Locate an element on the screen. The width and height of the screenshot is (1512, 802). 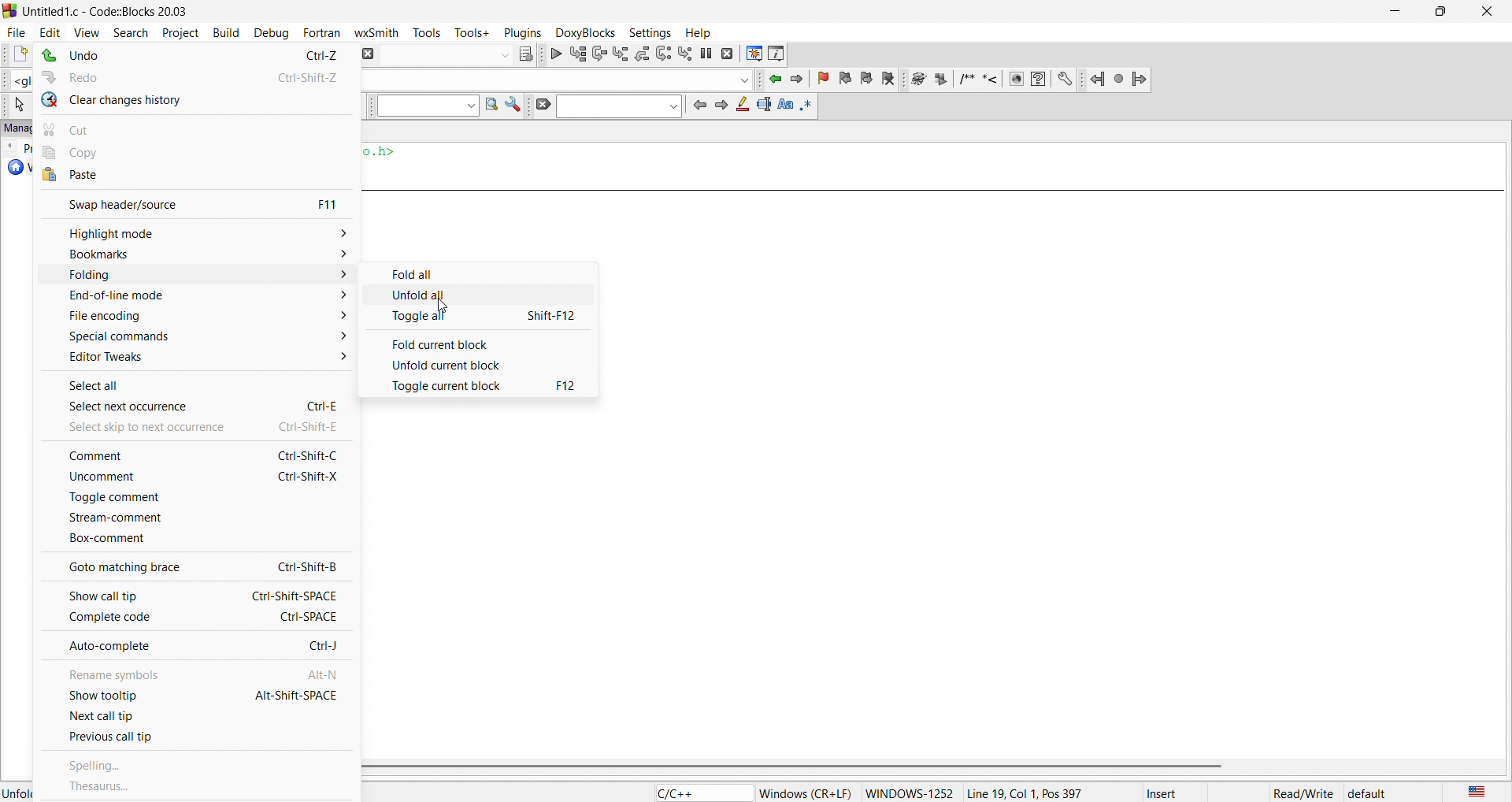
stream comment is located at coordinates (195, 517).